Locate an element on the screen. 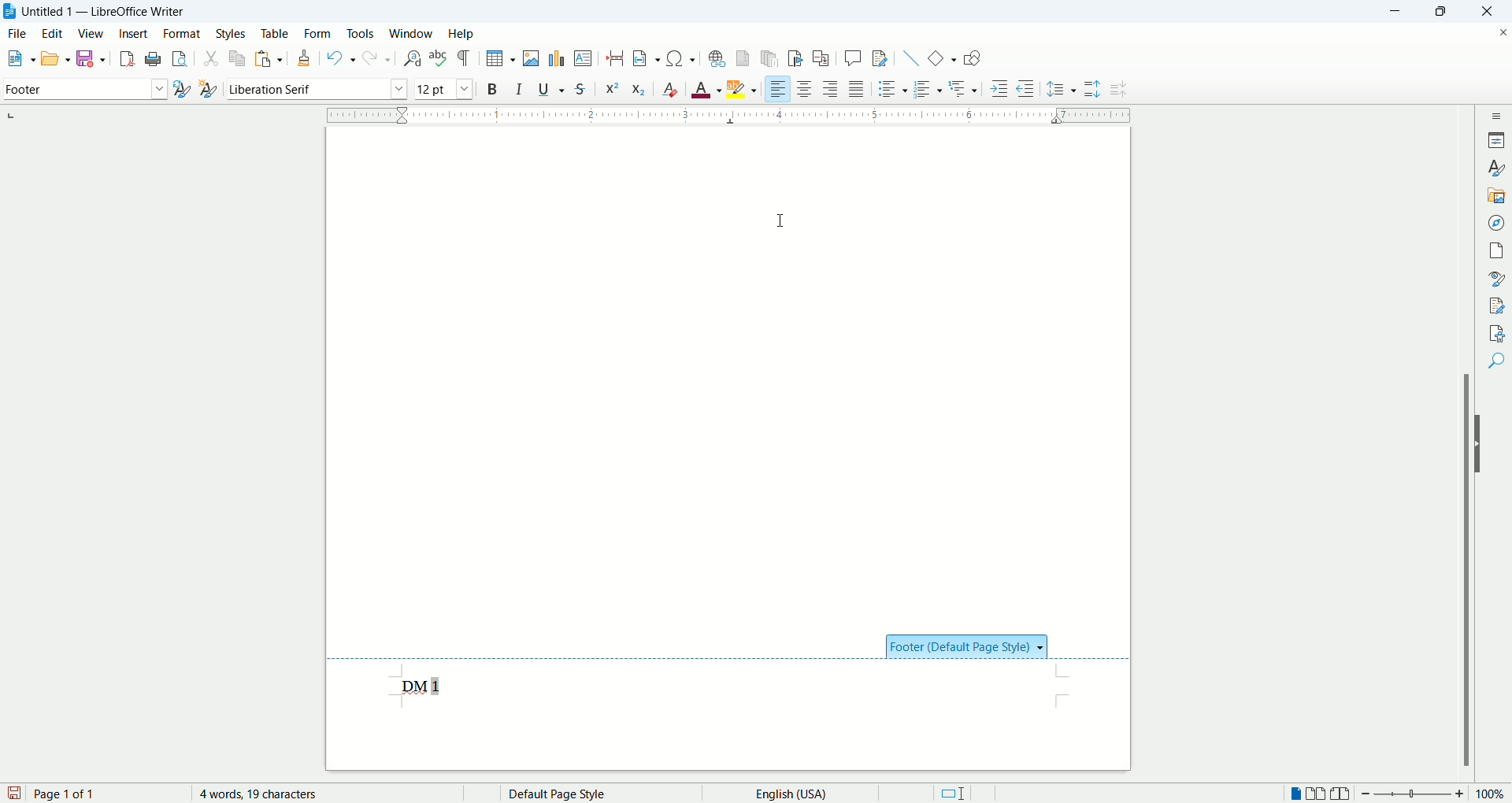 This screenshot has height=803, width=1512. find is located at coordinates (1499, 360).